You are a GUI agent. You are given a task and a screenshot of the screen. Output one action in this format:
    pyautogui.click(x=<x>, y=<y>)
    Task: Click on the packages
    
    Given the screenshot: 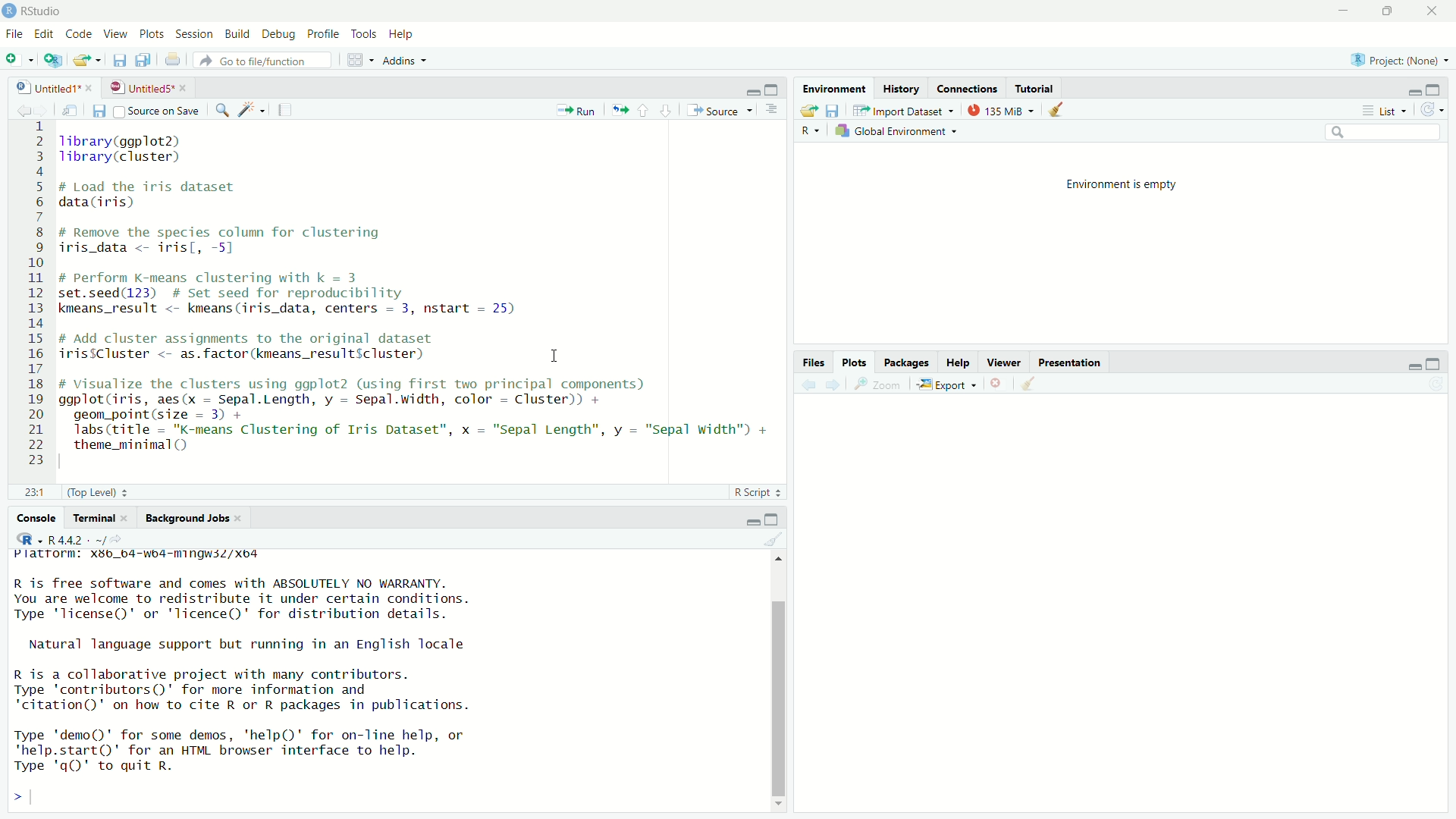 What is the action you would take?
    pyautogui.click(x=908, y=361)
    